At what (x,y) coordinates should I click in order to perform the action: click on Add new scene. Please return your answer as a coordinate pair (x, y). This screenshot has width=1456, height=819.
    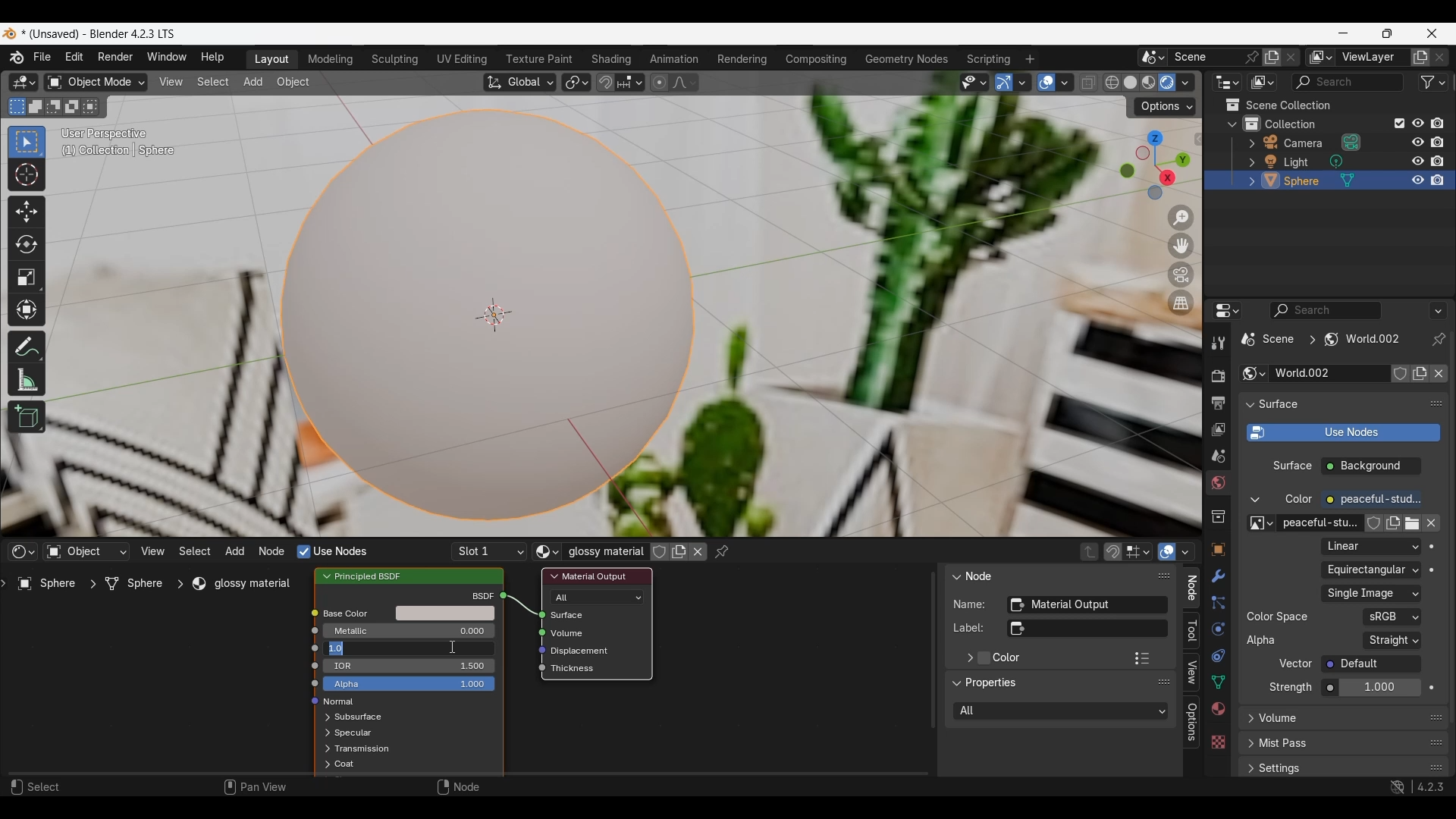
    Looking at the image, I should click on (1273, 57).